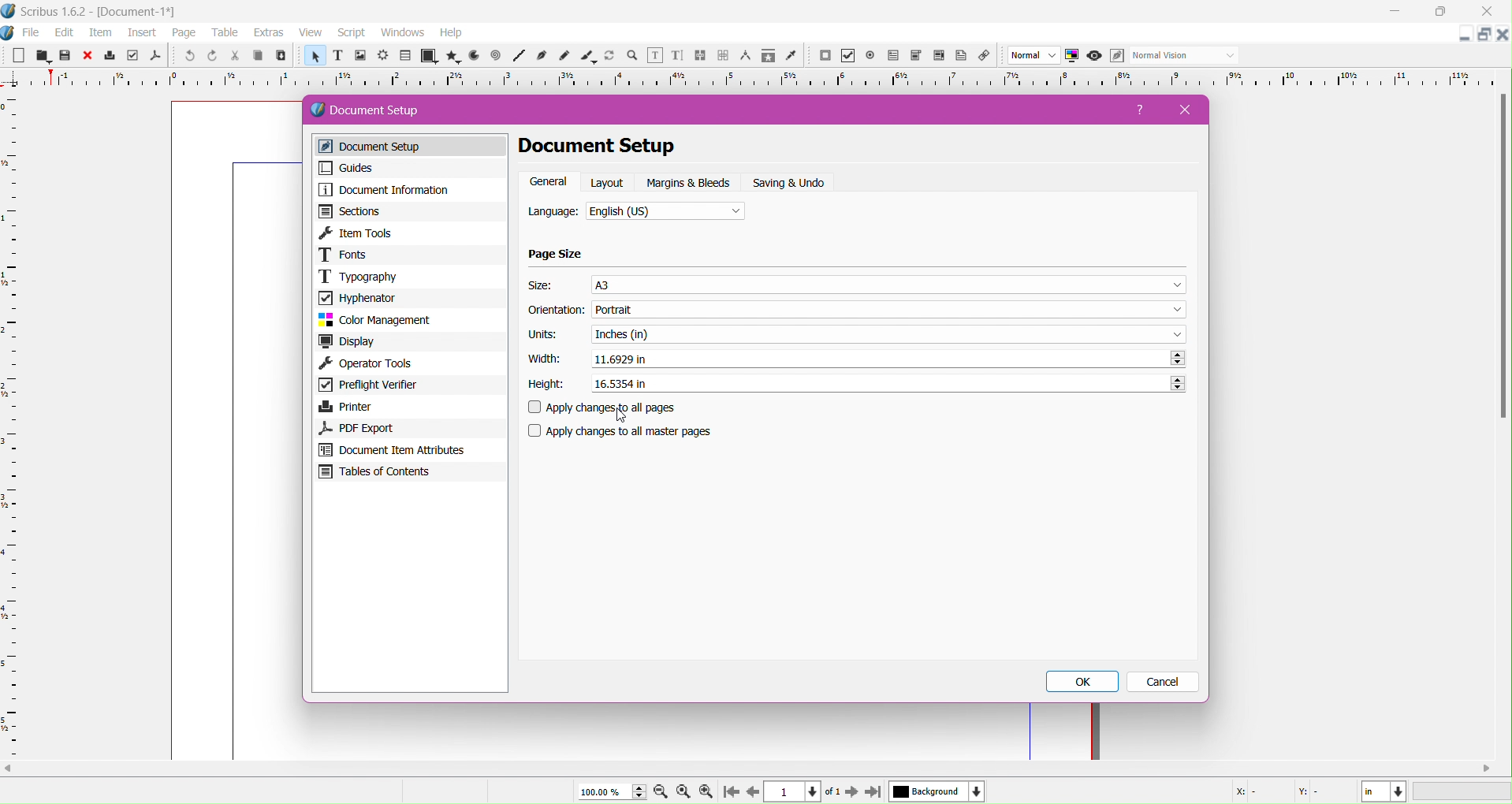  I want to click on Hyphenator, so click(409, 297).